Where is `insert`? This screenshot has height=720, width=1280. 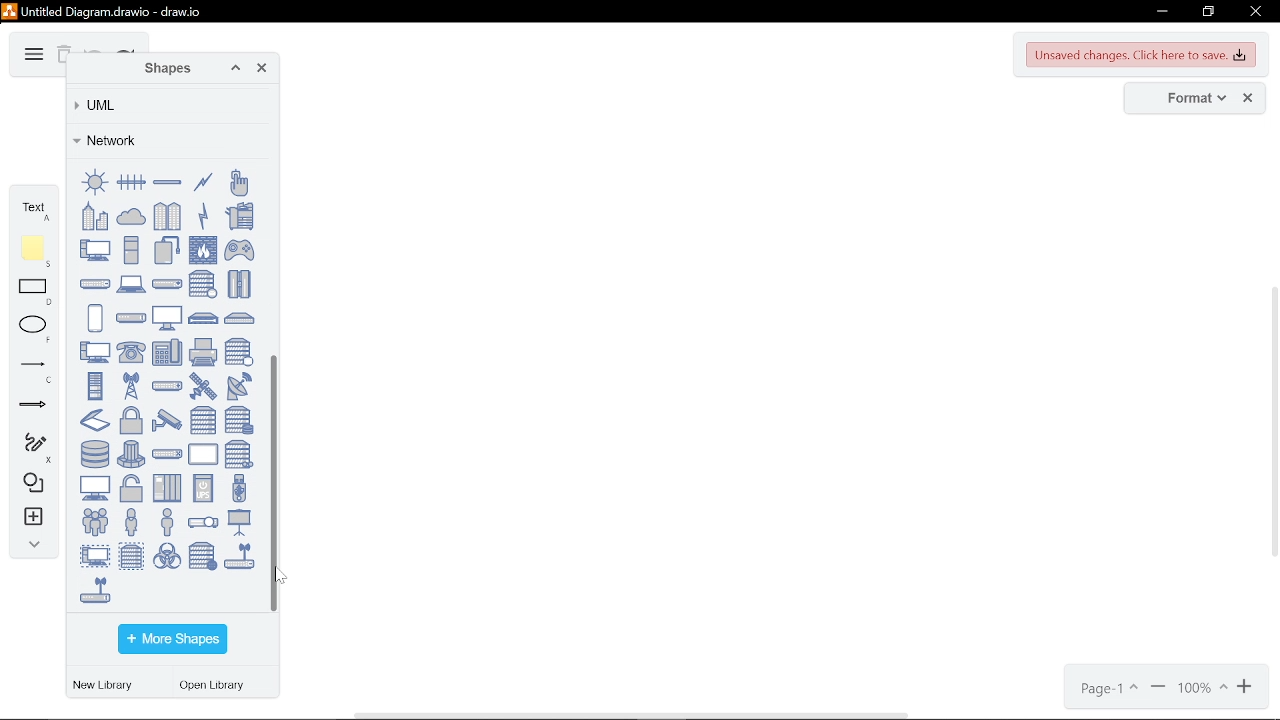 insert is located at coordinates (31, 519).